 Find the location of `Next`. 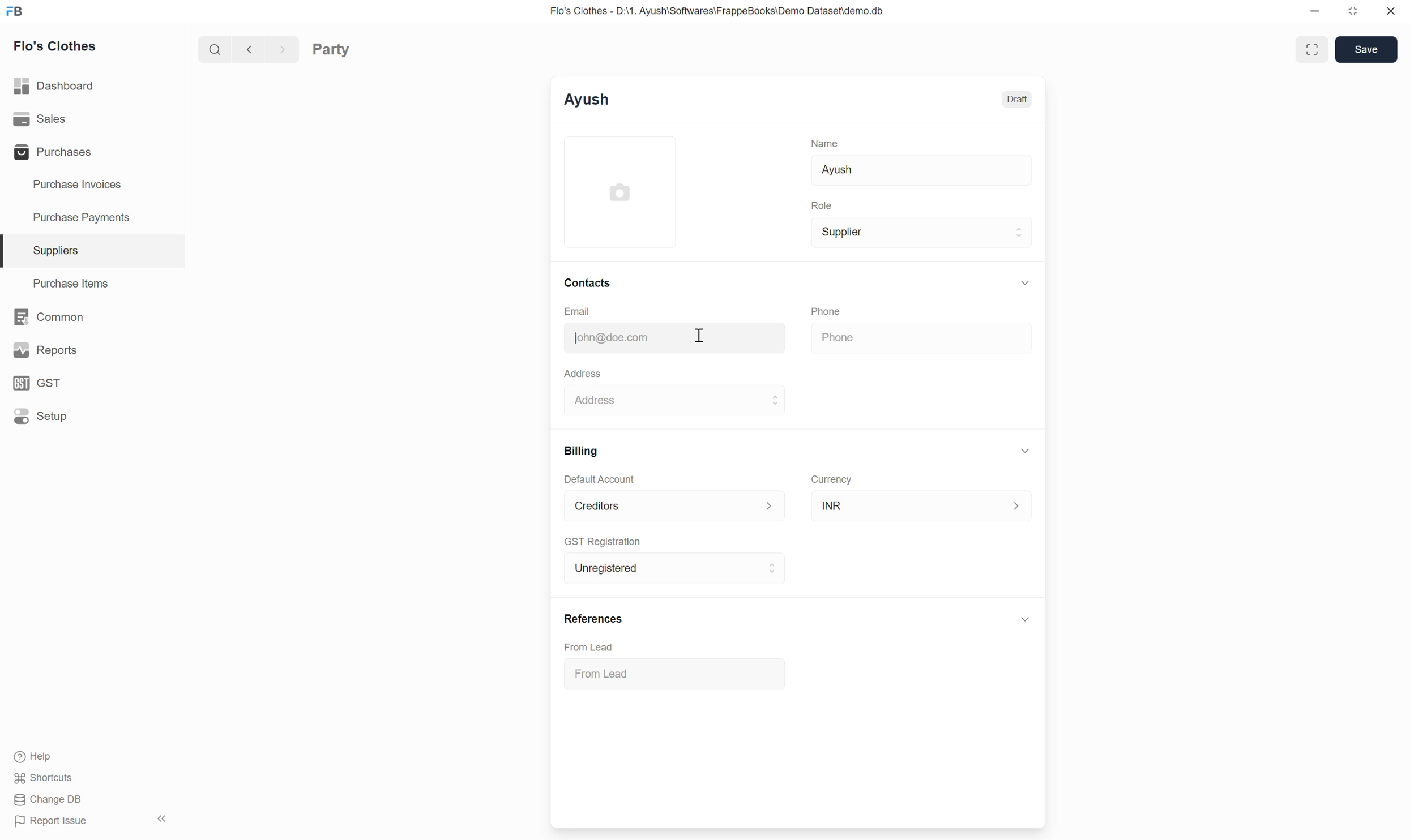

Next is located at coordinates (283, 49).